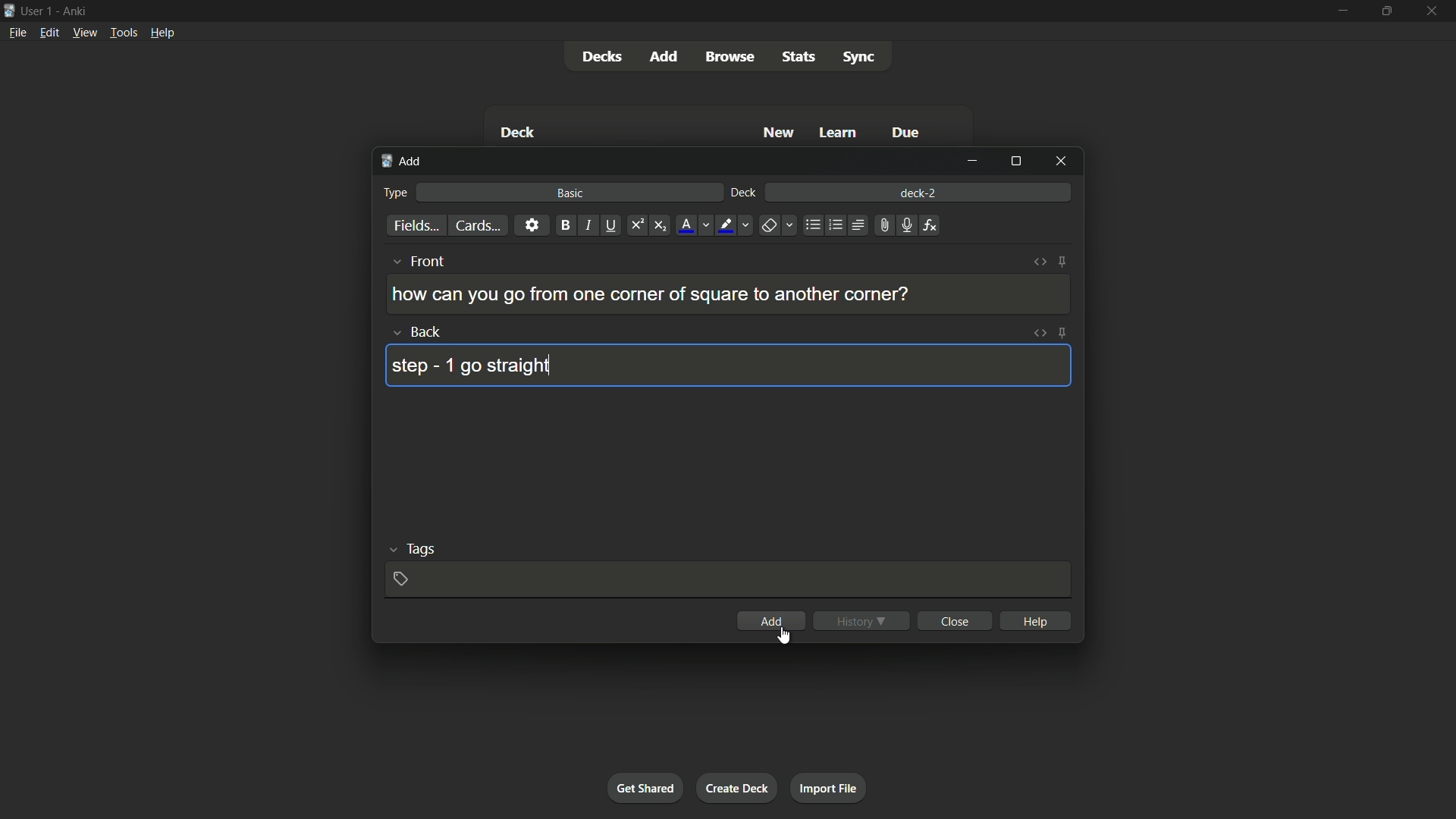 The height and width of the screenshot is (819, 1456). Describe the element at coordinates (1062, 332) in the screenshot. I see `toggle sticky` at that location.